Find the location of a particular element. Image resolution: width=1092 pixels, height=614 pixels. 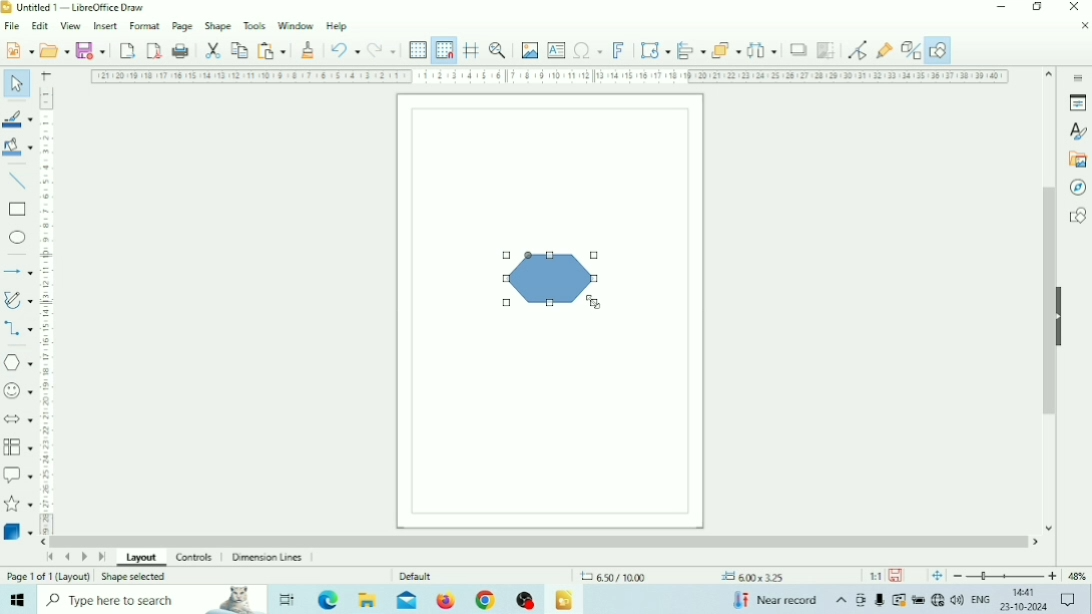

Basic Shapes is located at coordinates (18, 363).